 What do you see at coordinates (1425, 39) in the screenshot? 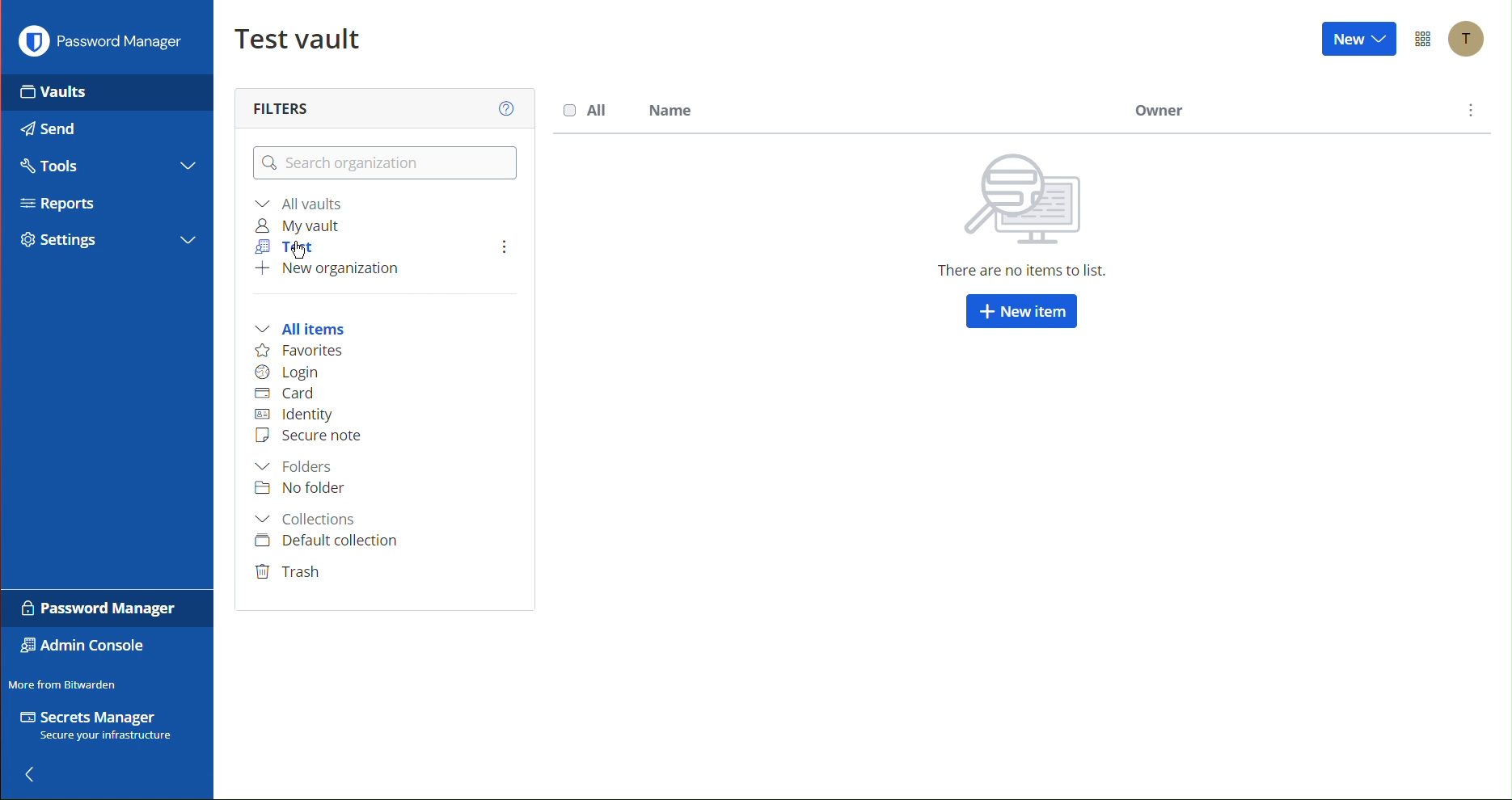
I see `More Options` at bounding box center [1425, 39].